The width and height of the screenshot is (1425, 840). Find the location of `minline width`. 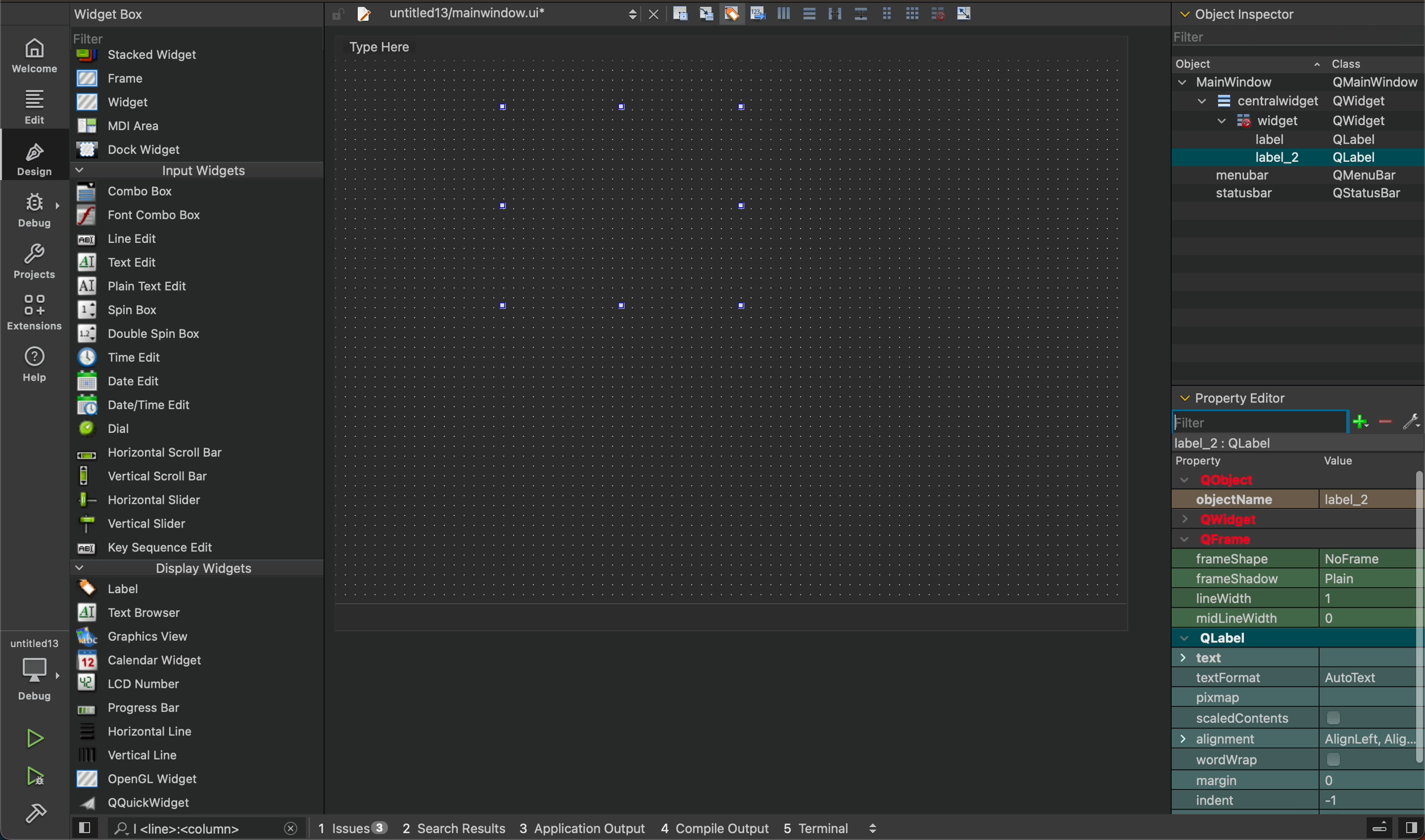

minline width is located at coordinates (1299, 618).